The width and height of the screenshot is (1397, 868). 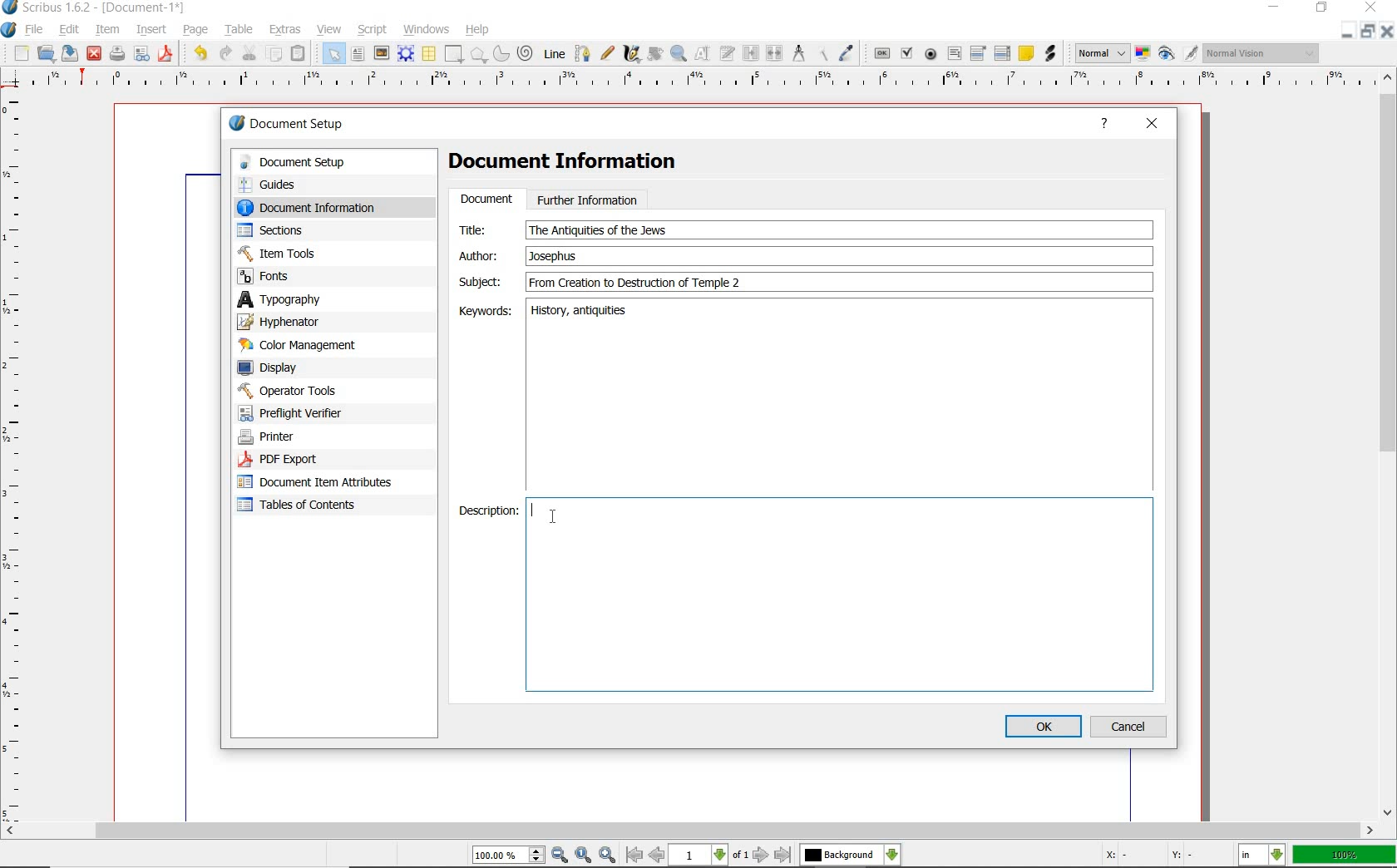 What do you see at coordinates (151, 29) in the screenshot?
I see `insert` at bounding box center [151, 29].